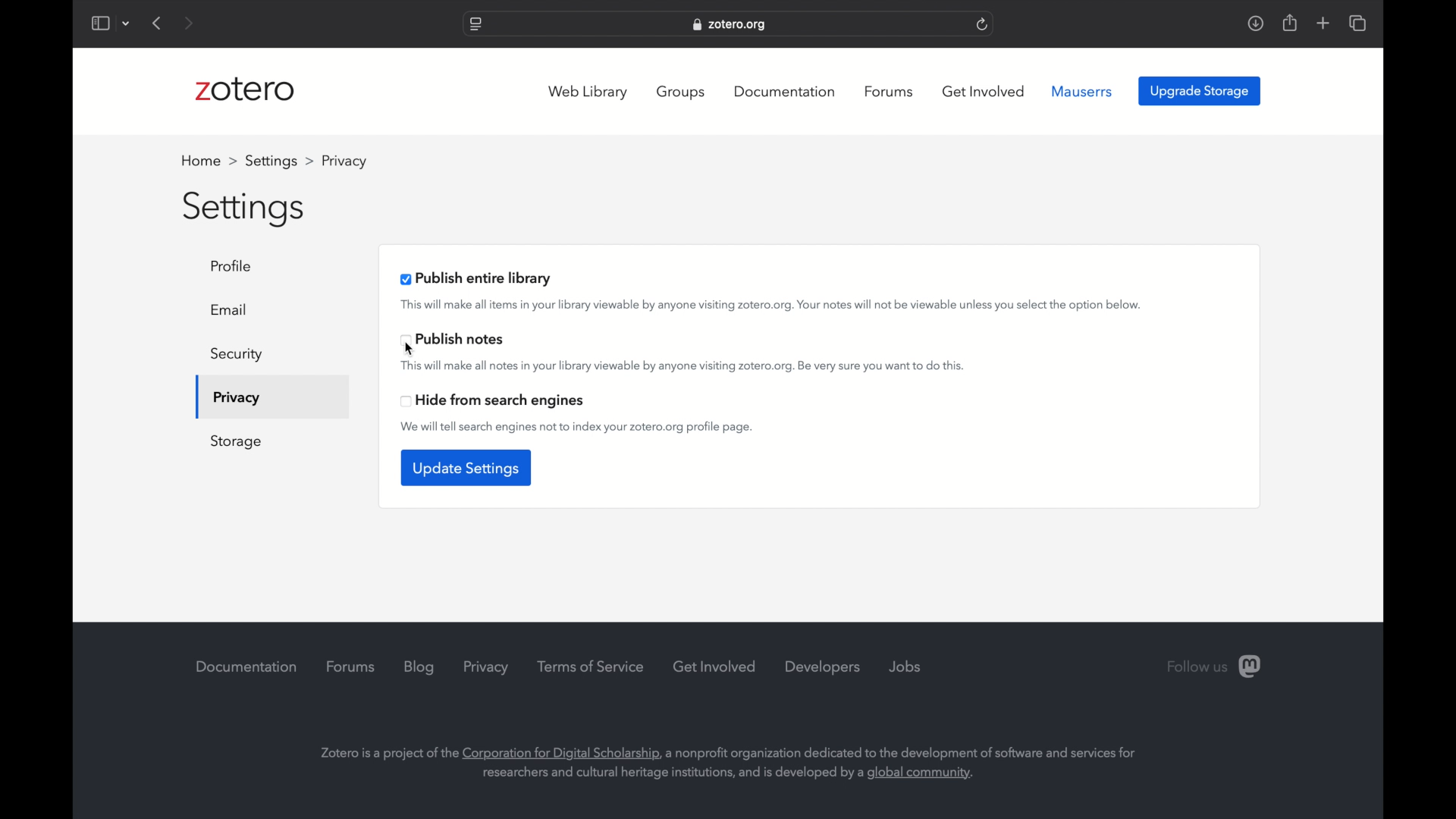 The width and height of the screenshot is (1456, 819). I want to click on share, so click(1288, 23).